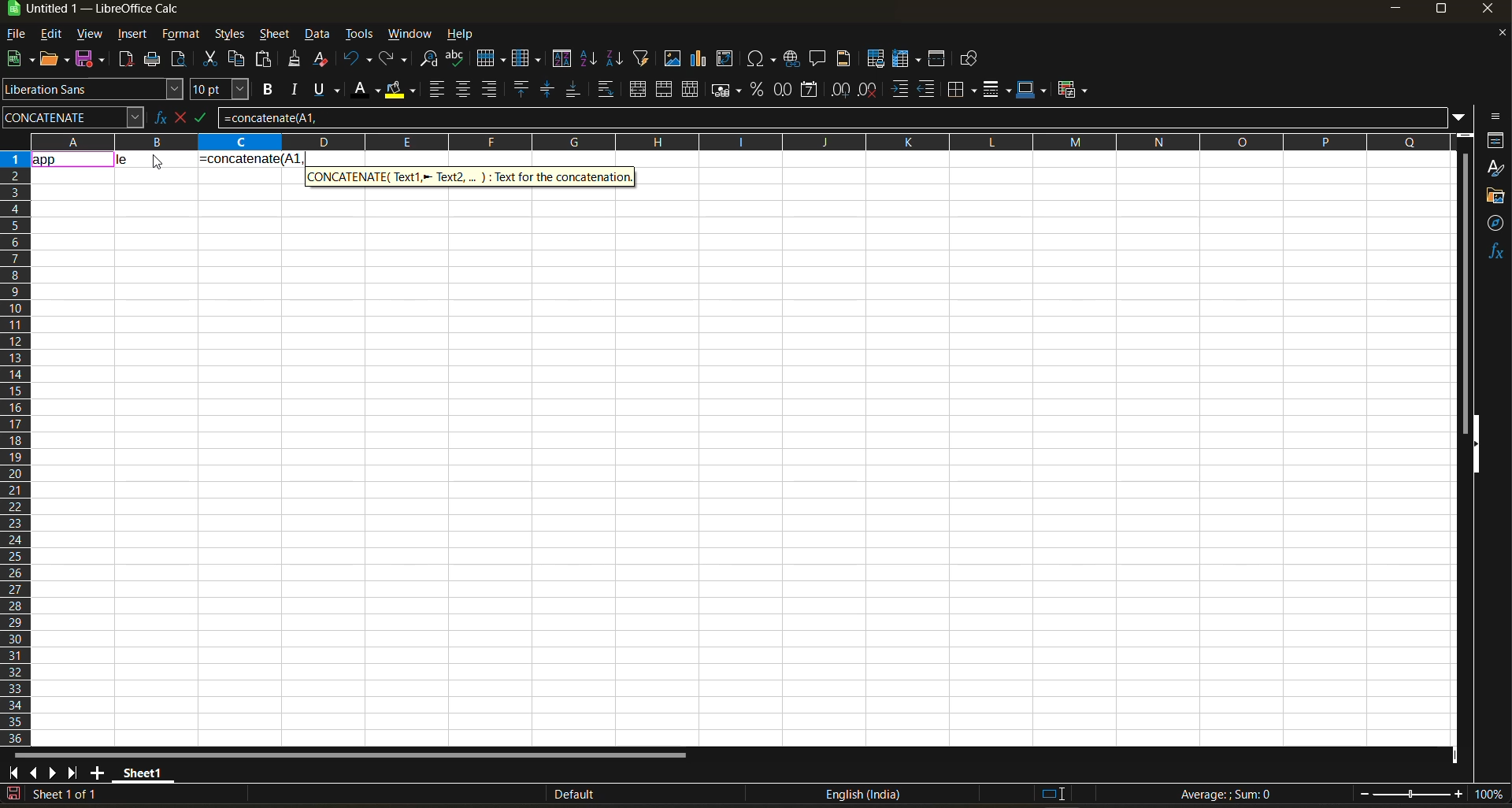  I want to click on scroll to first sheet, so click(14, 770).